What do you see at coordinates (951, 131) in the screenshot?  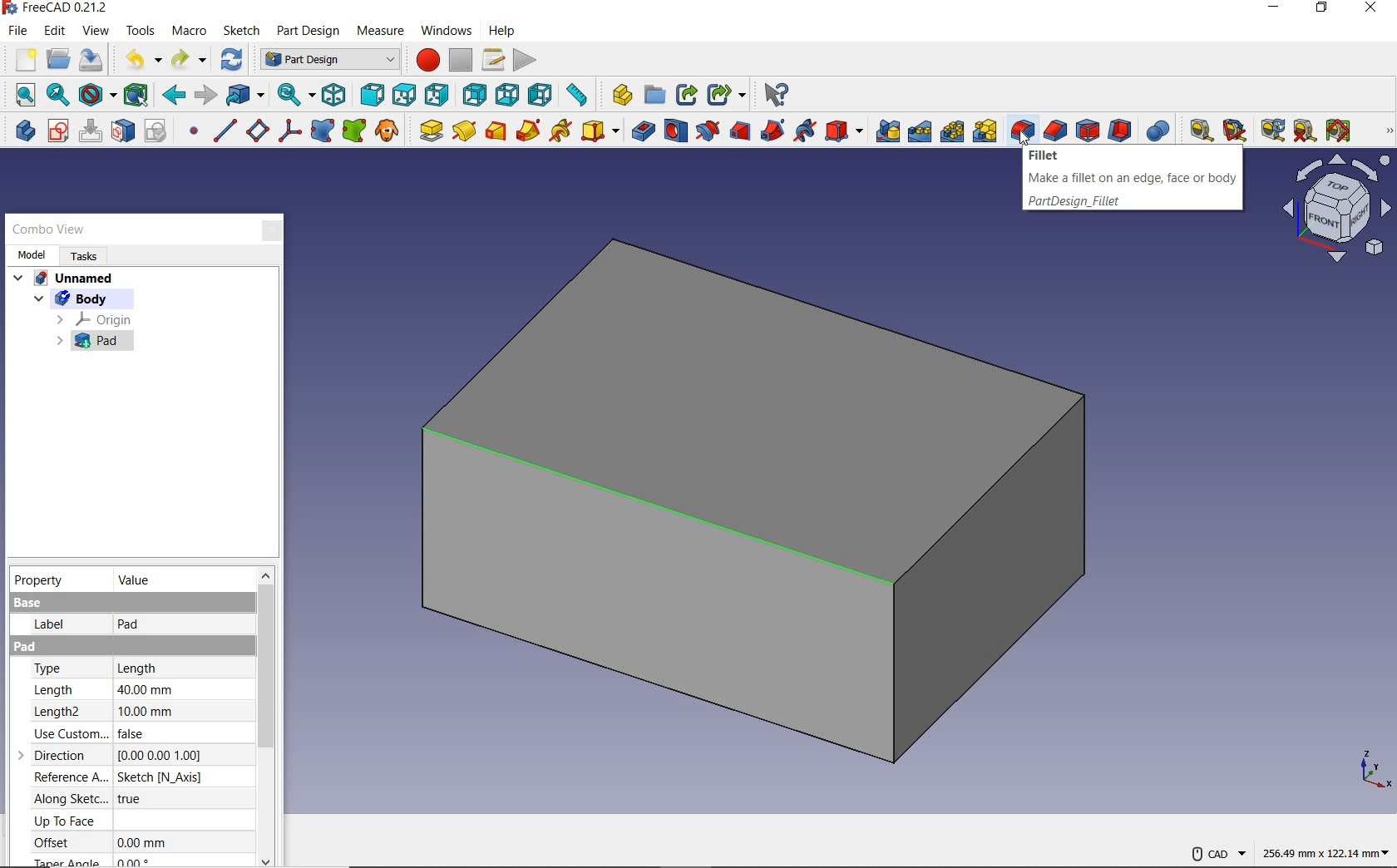 I see `polarpattern` at bounding box center [951, 131].